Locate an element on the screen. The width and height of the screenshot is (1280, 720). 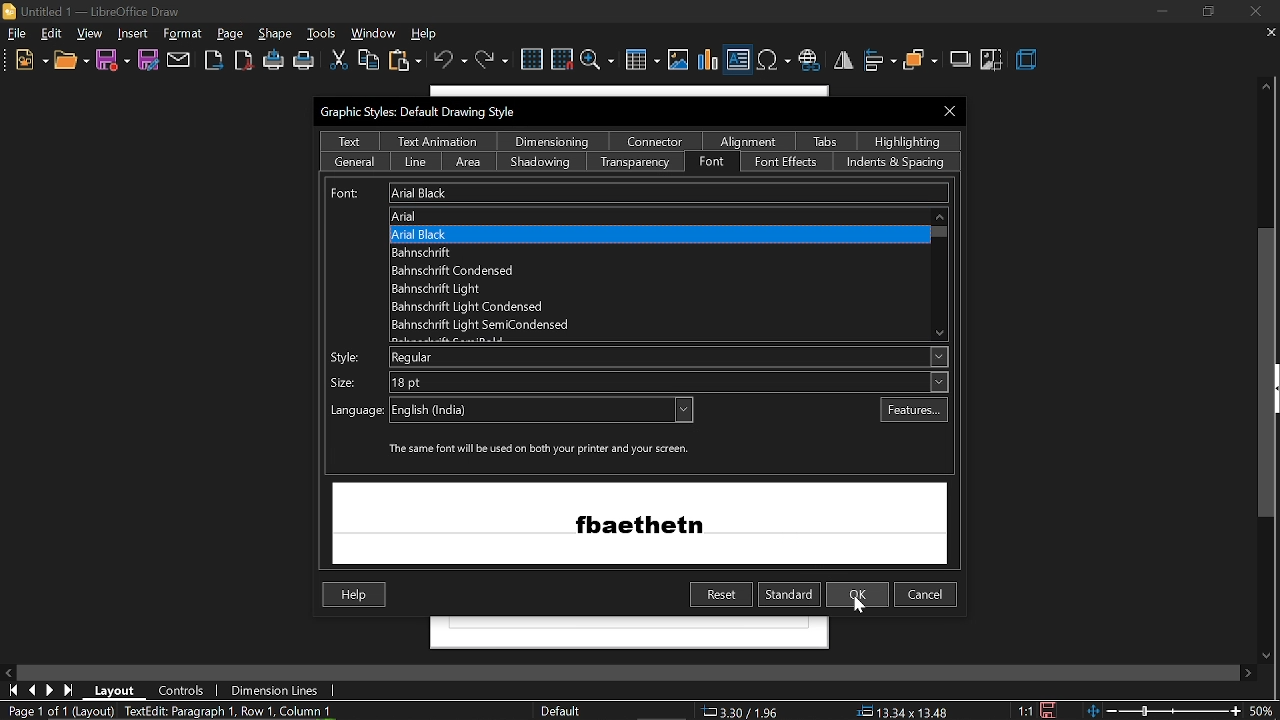
area is located at coordinates (469, 161).